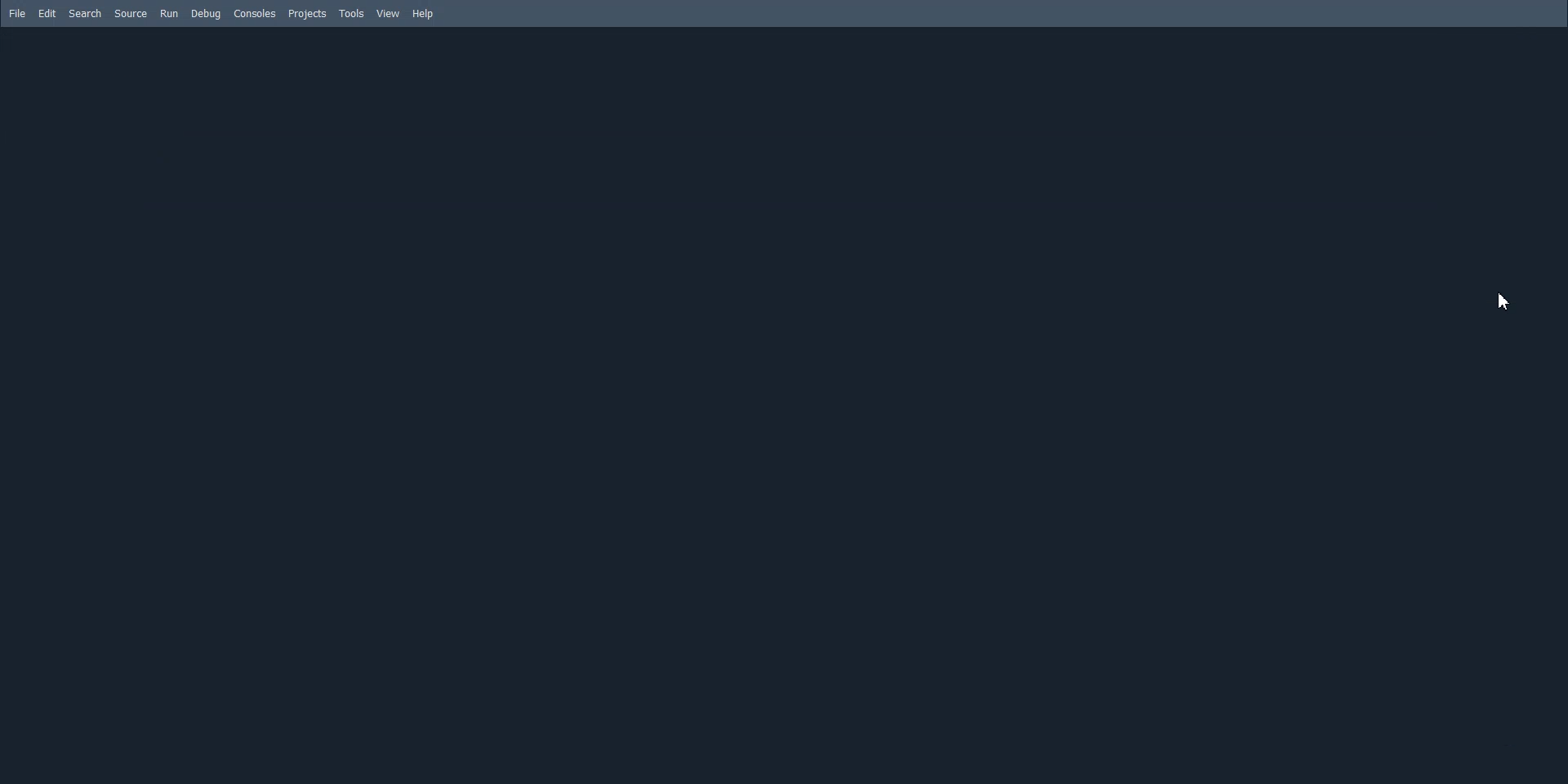 This screenshot has height=784, width=1568. What do you see at coordinates (205, 14) in the screenshot?
I see `Debug` at bounding box center [205, 14].